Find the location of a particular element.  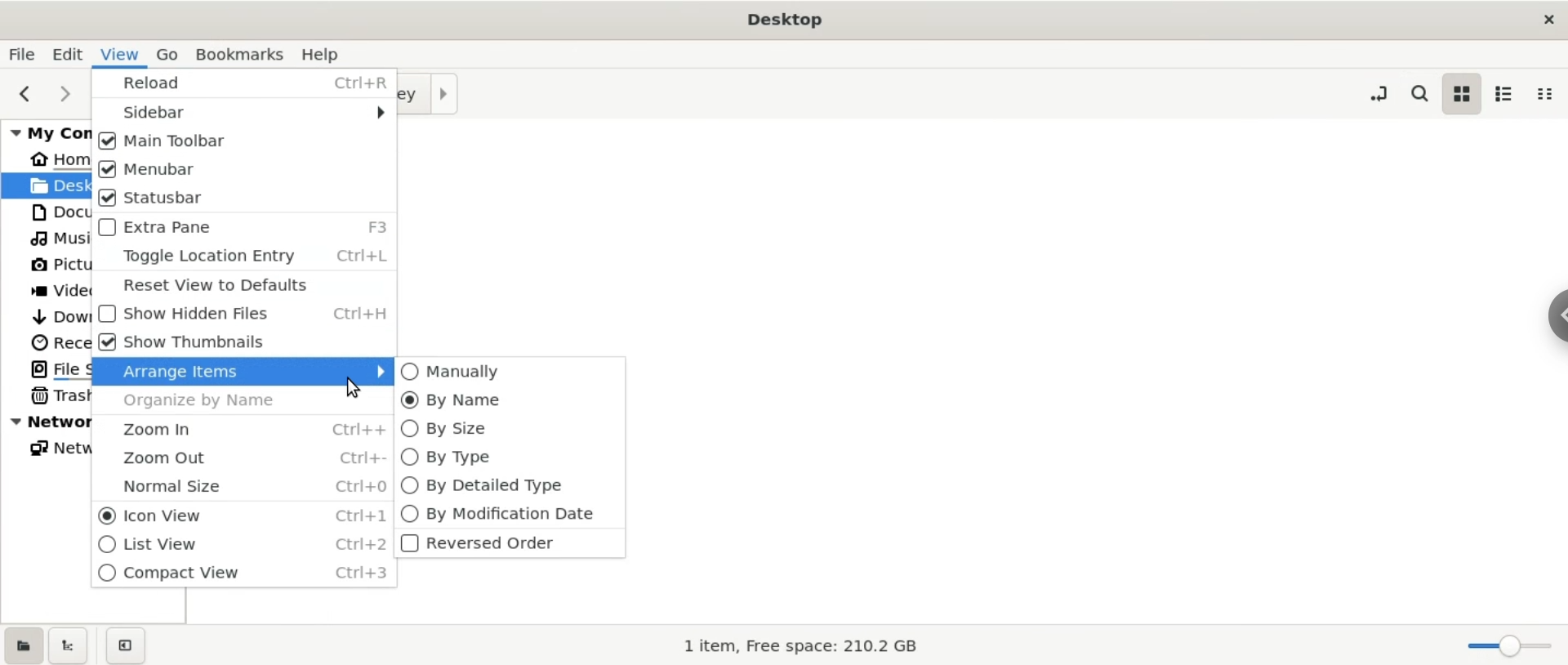

zoom out is located at coordinates (245, 459).